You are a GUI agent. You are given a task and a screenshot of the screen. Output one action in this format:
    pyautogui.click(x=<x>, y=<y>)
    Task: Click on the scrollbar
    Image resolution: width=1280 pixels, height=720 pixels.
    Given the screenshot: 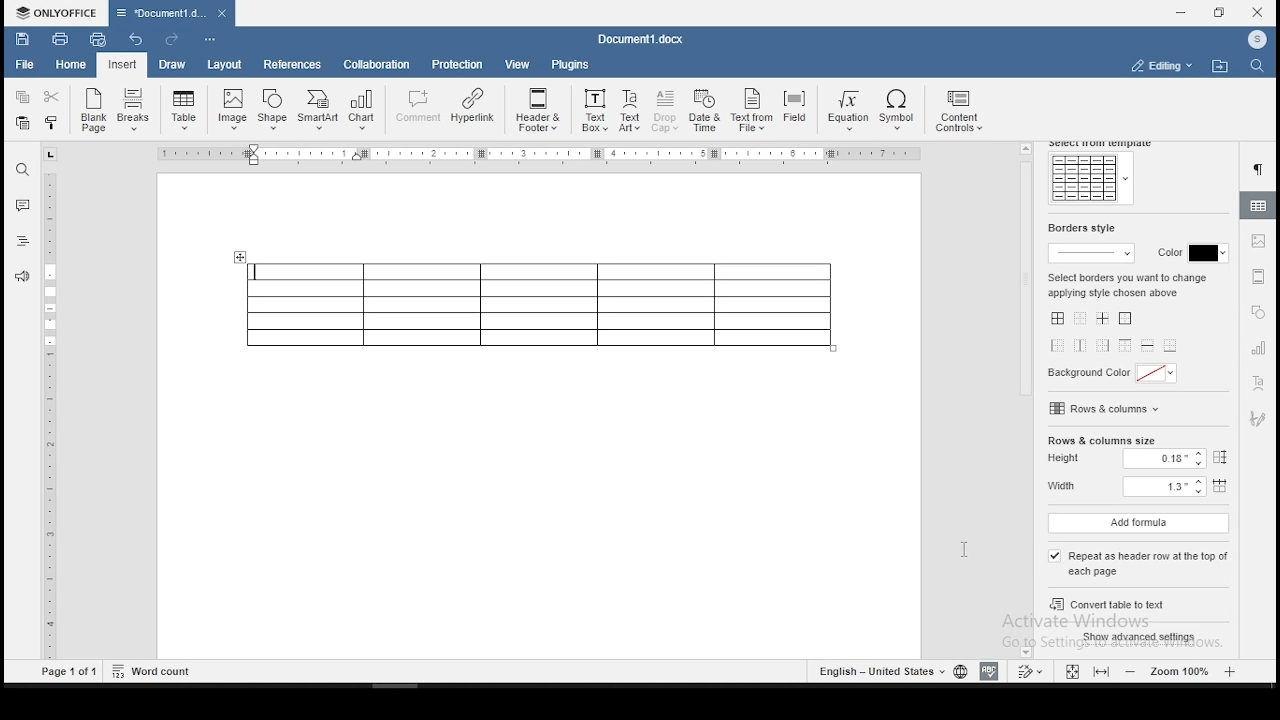 What is the action you would take?
    pyautogui.click(x=1026, y=400)
    